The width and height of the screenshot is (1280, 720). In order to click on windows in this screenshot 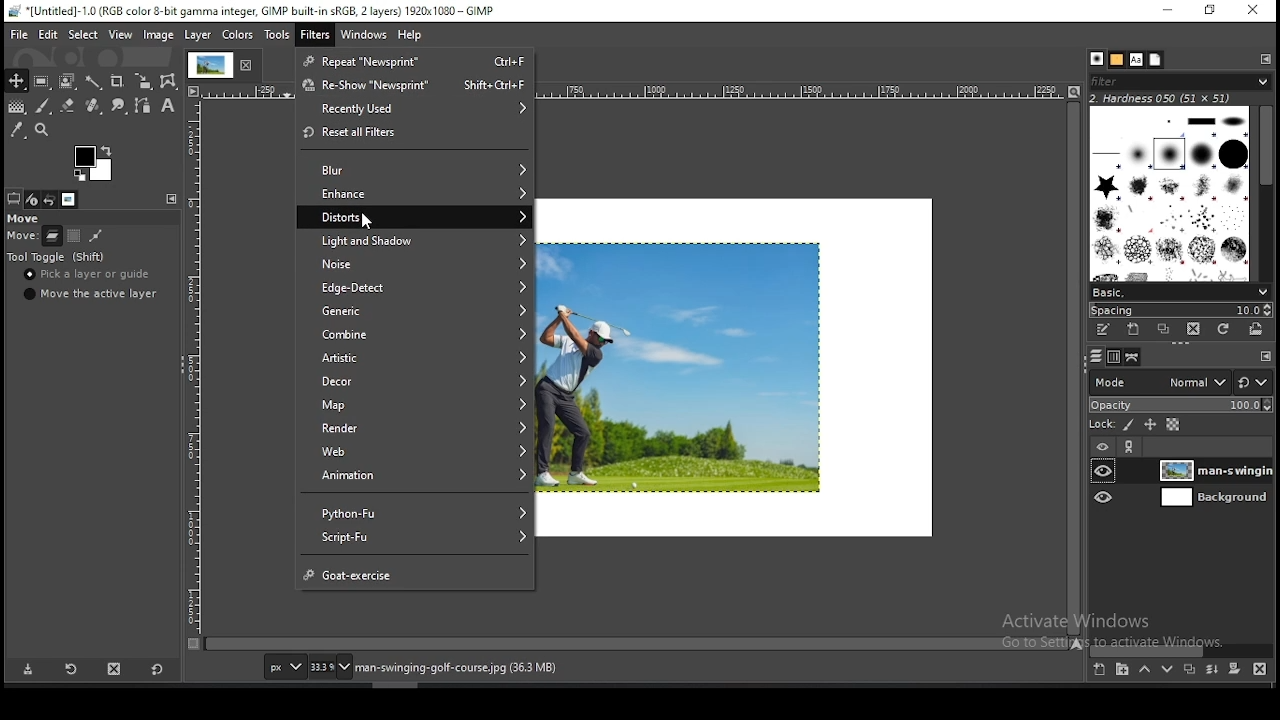, I will do `click(364, 35)`.